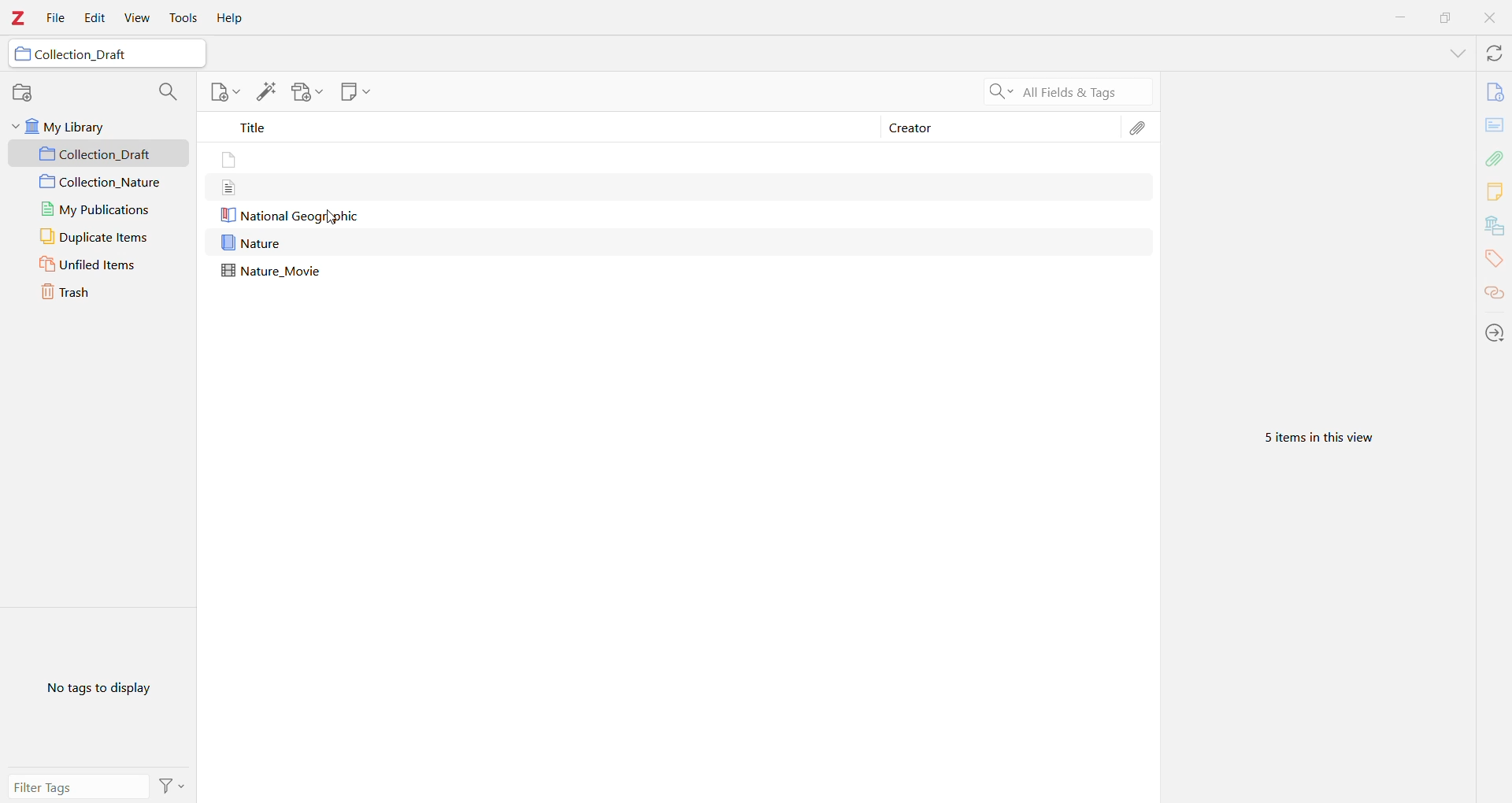 This screenshot has height=803, width=1512. Describe the element at coordinates (98, 237) in the screenshot. I see `Duplicate Items` at that location.